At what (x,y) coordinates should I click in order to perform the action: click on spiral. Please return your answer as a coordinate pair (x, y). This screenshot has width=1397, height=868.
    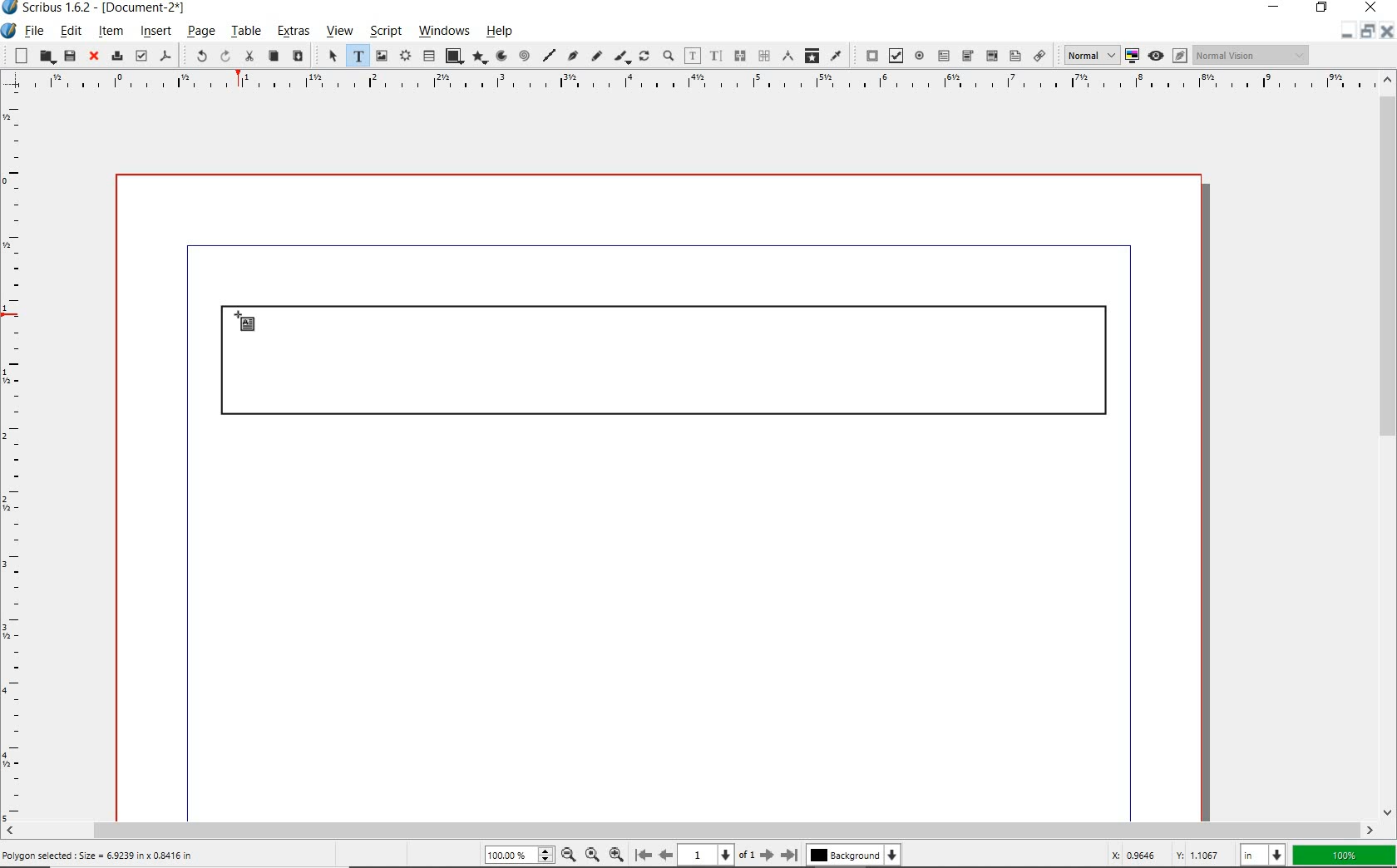
    Looking at the image, I should click on (526, 56).